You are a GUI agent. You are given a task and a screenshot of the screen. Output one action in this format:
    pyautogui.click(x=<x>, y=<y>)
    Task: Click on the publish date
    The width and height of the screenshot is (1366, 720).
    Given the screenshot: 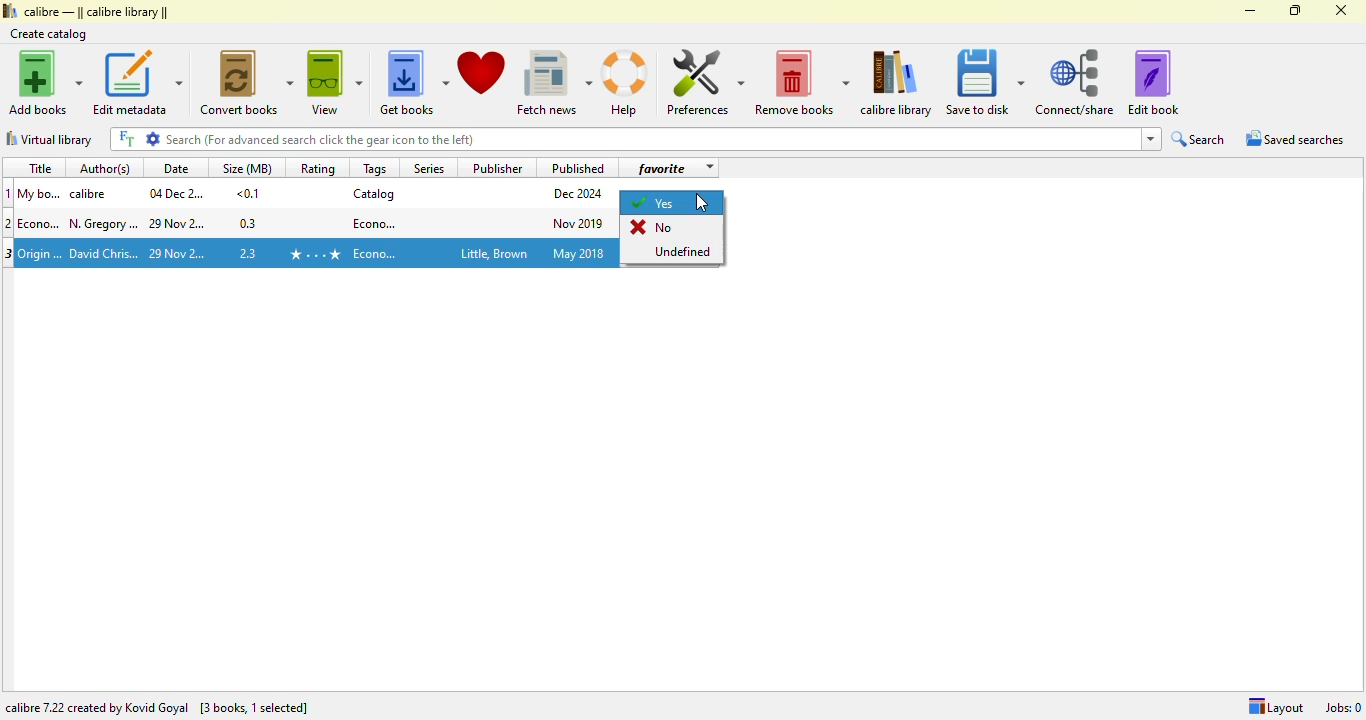 What is the action you would take?
    pyautogui.click(x=580, y=194)
    